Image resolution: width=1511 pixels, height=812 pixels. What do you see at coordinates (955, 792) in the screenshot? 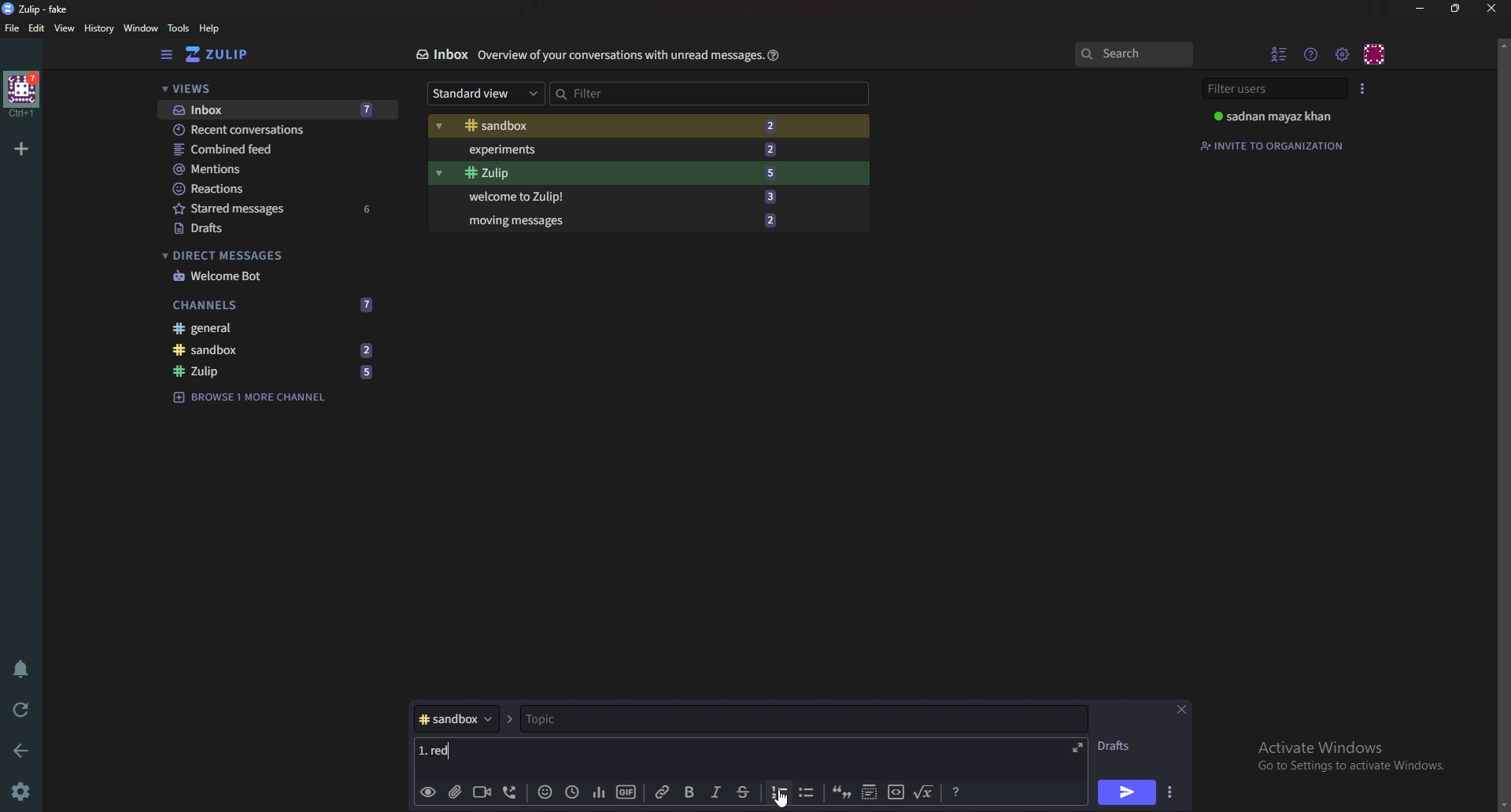
I see `Message formatting` at bounding box center [955, 792].